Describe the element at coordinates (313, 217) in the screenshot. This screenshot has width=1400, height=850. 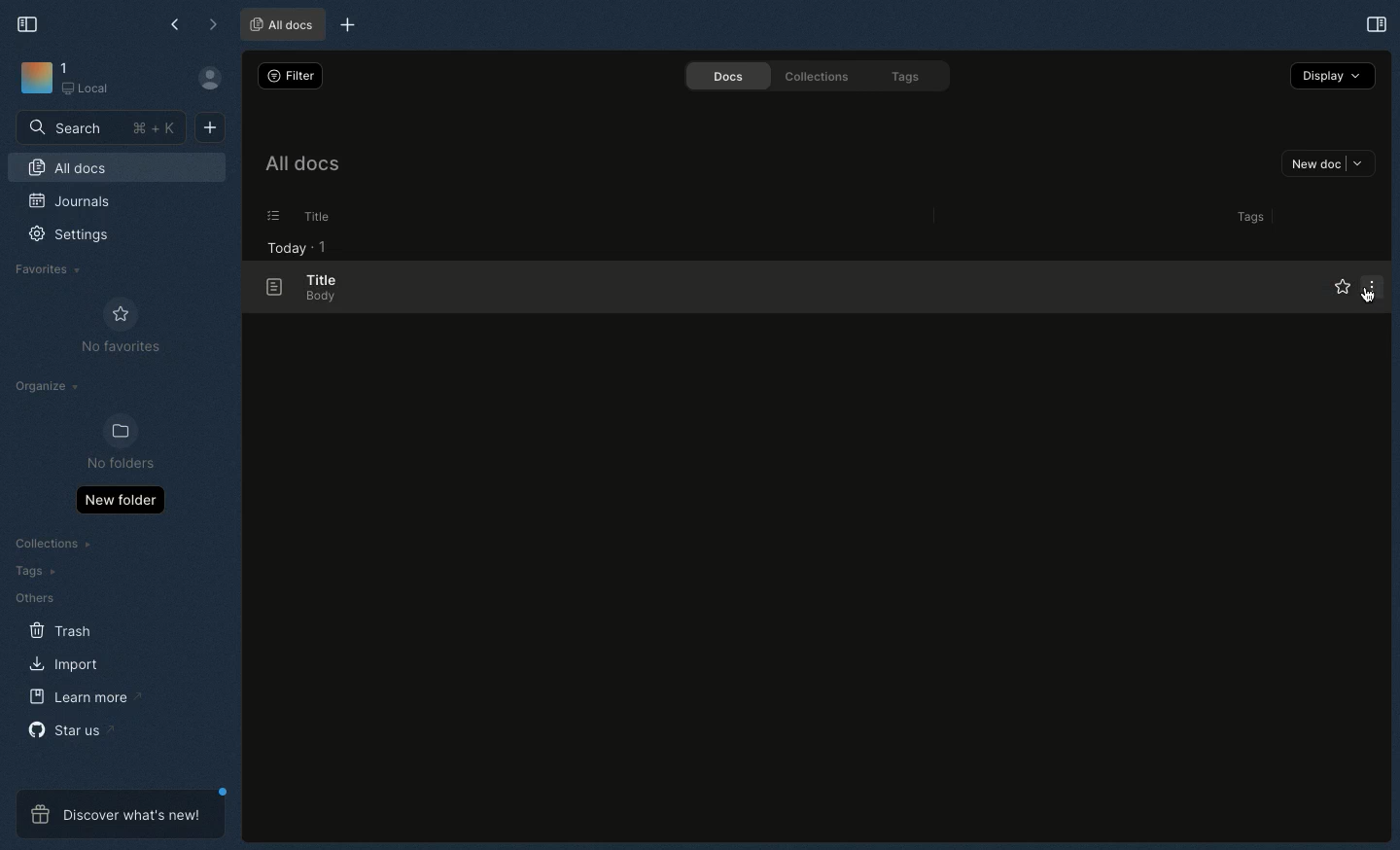
I see `Title` at that location.